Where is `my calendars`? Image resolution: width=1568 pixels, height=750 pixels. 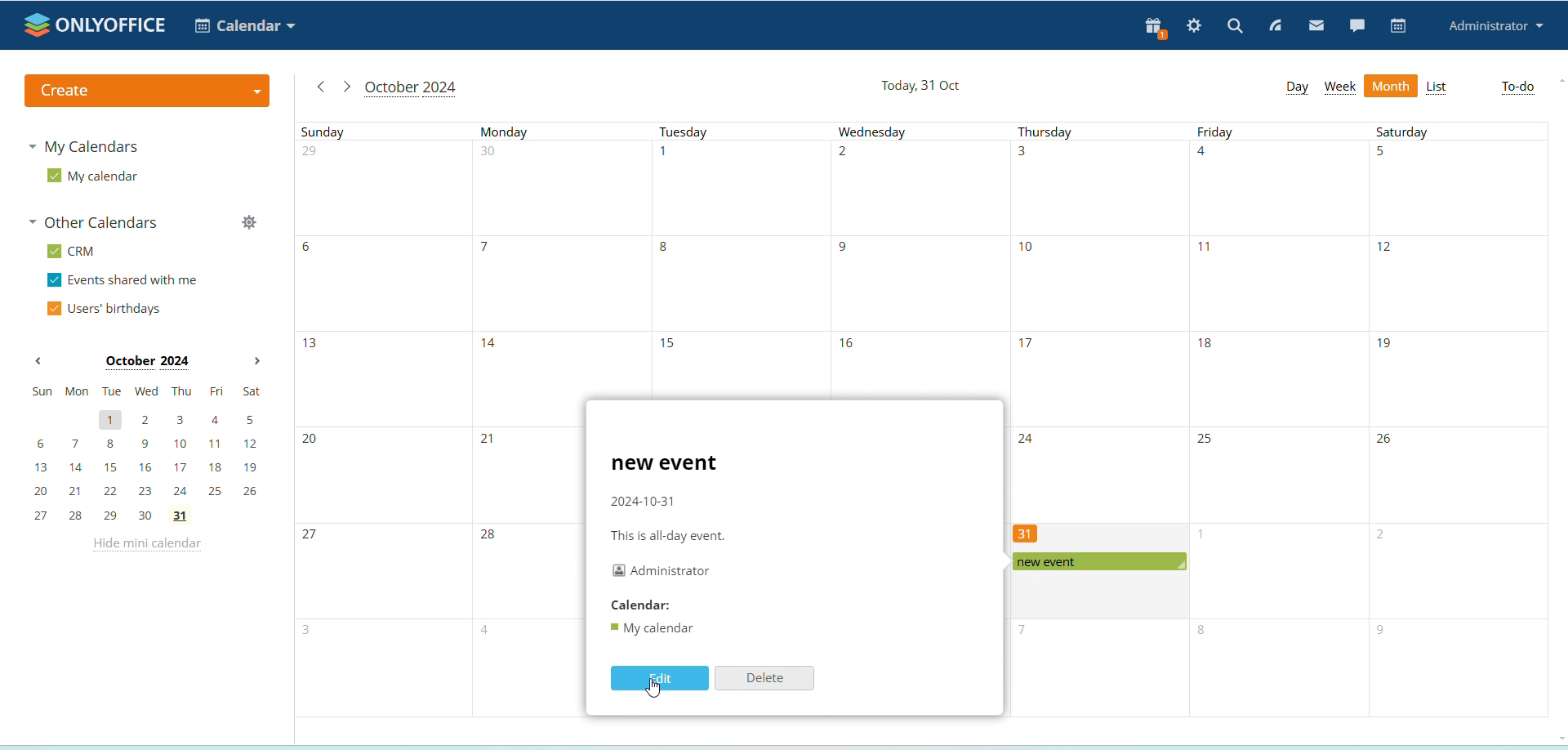 my calendars is located at coordinates (87, 145).